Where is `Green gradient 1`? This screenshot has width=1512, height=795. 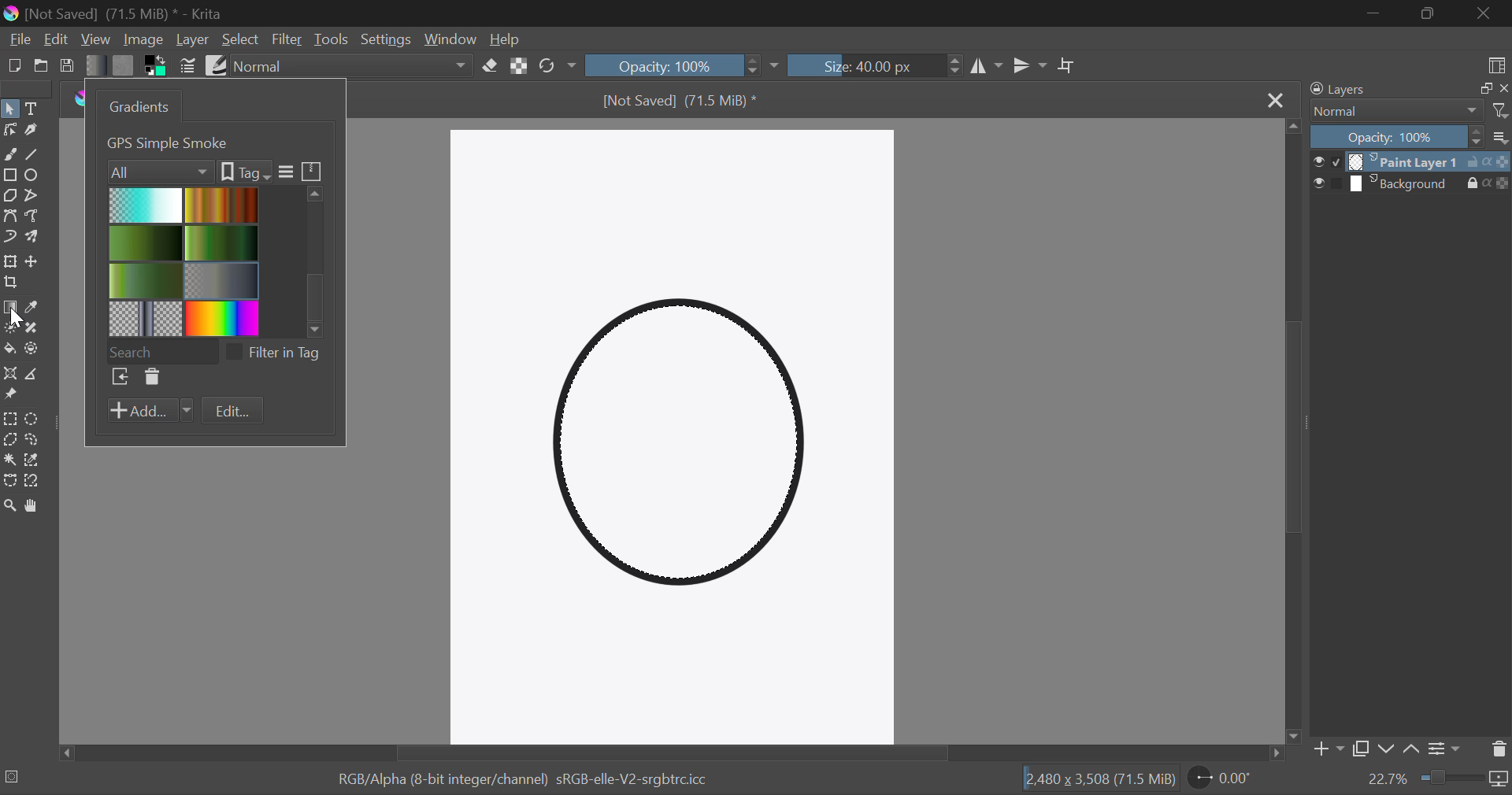
Green gradient 1 is located at coordinates (224, 244).